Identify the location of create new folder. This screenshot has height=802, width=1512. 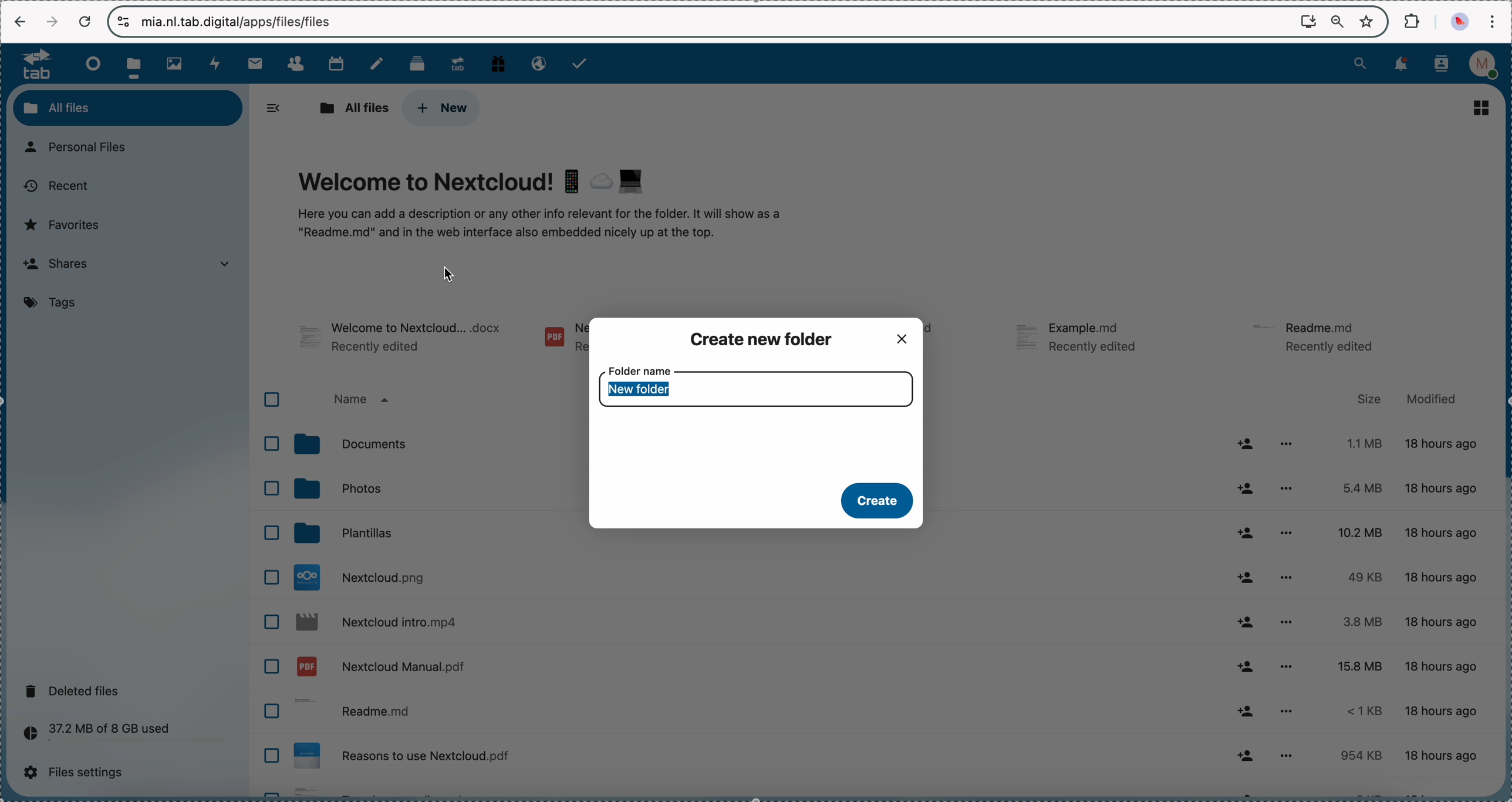
(765, 339).